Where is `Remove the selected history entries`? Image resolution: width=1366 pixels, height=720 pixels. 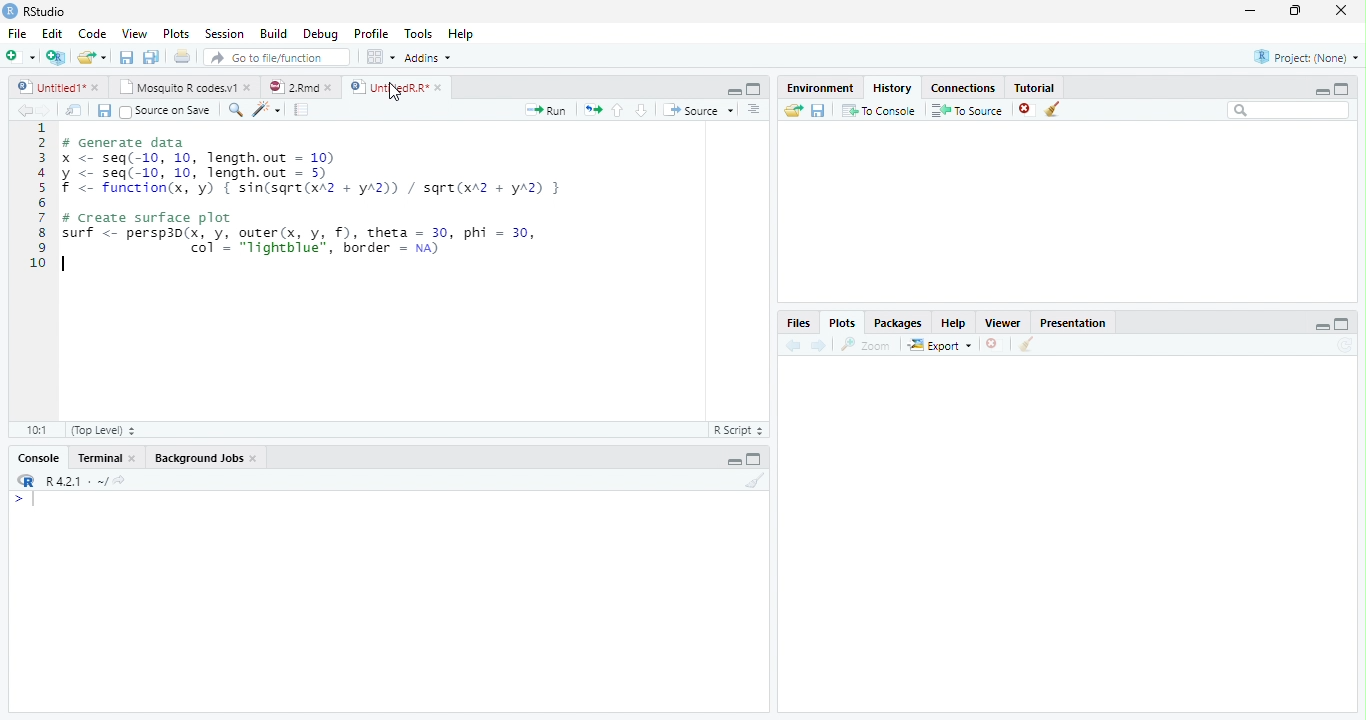
Remove the selected history entries is located at coordinates (1026, 110).